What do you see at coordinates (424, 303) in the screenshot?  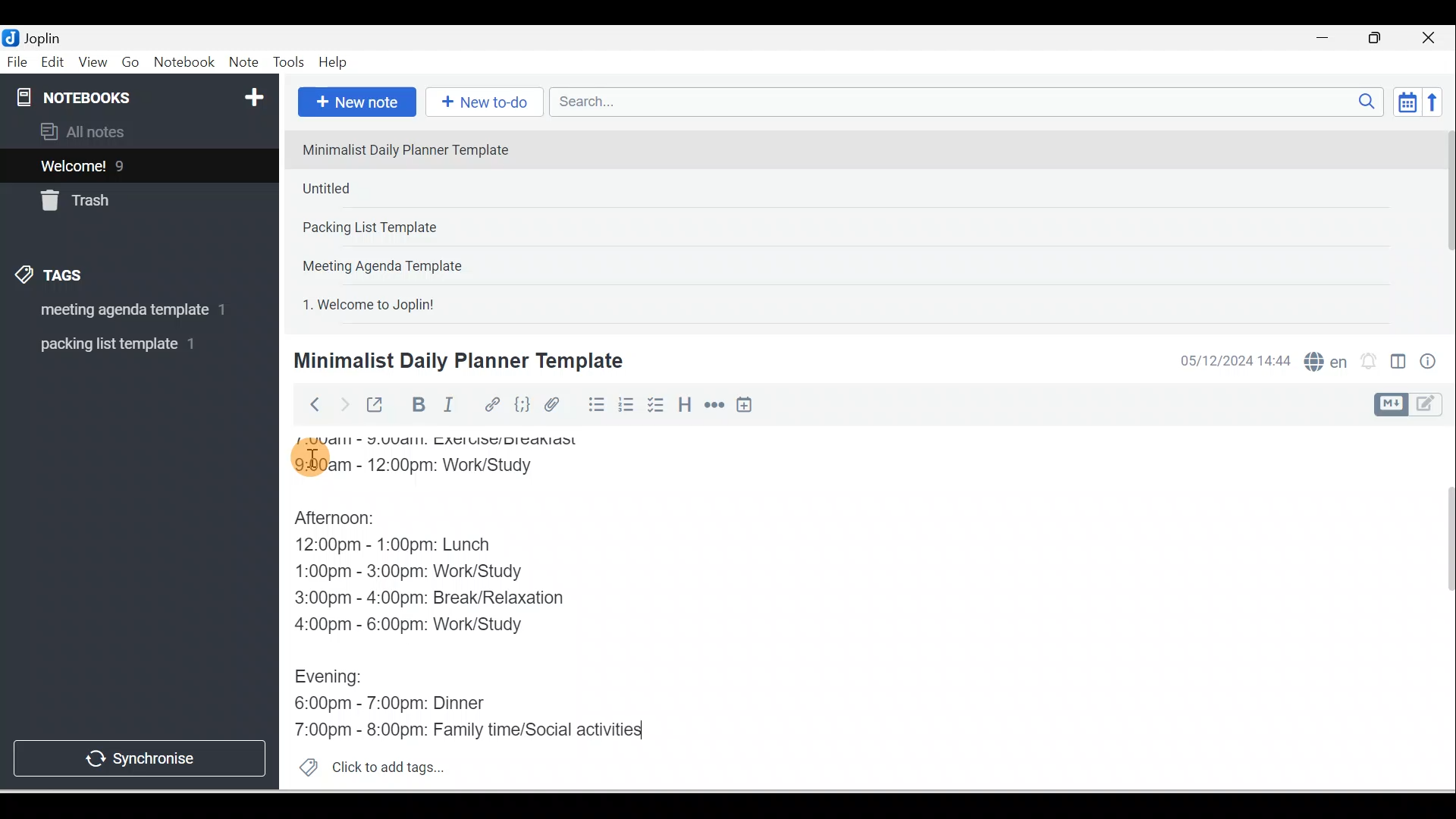 I see `Note 5` at bounding box center [424, 303].